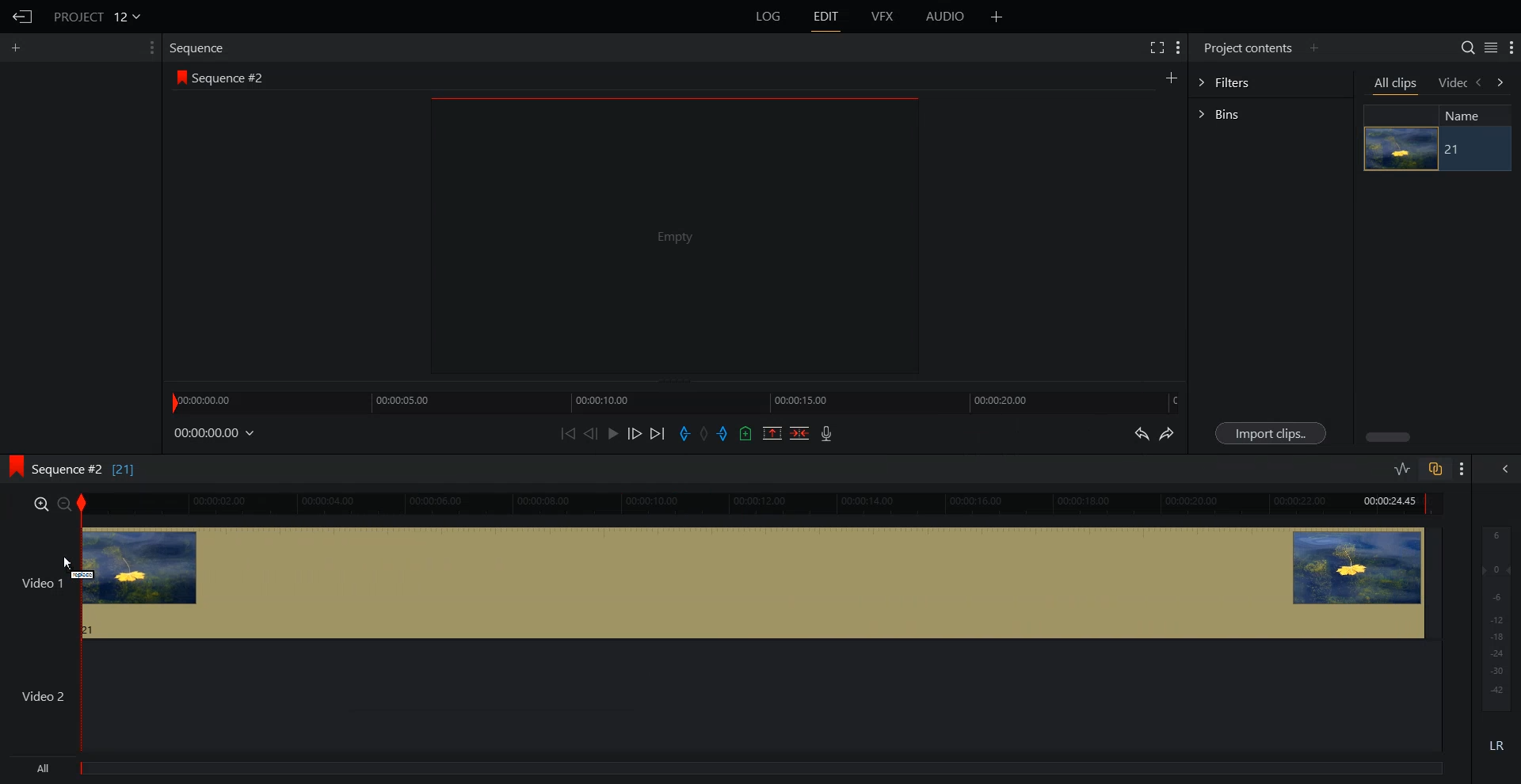 Image resolution: width=1521 pixels, height=784 pixels. Describe the element at coordinates (723, 585) in the screenshot. I see `Video 1` at that location.